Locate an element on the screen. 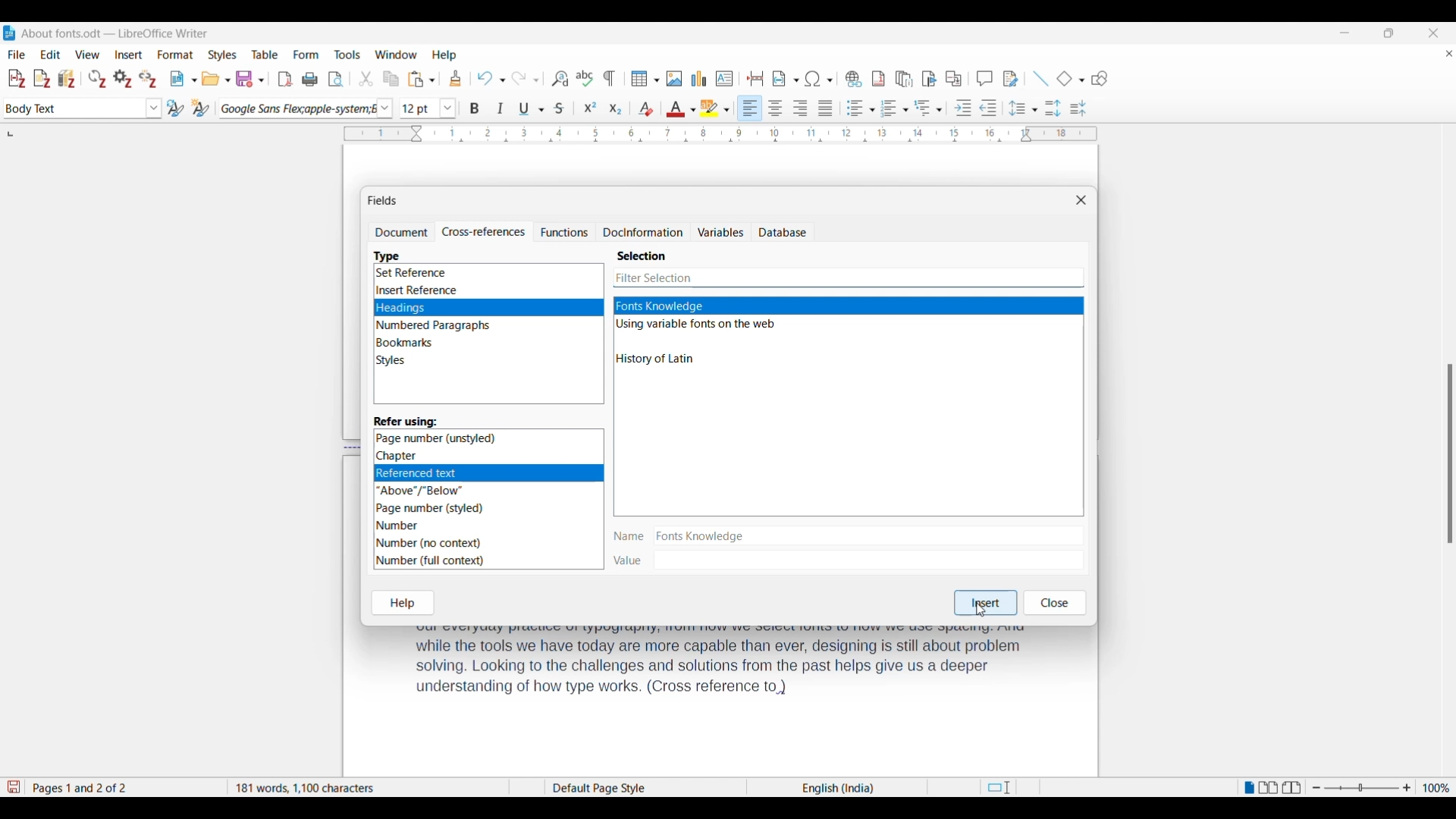 The image size is (1456, 819). File menu is located at coordinates (17, 55).